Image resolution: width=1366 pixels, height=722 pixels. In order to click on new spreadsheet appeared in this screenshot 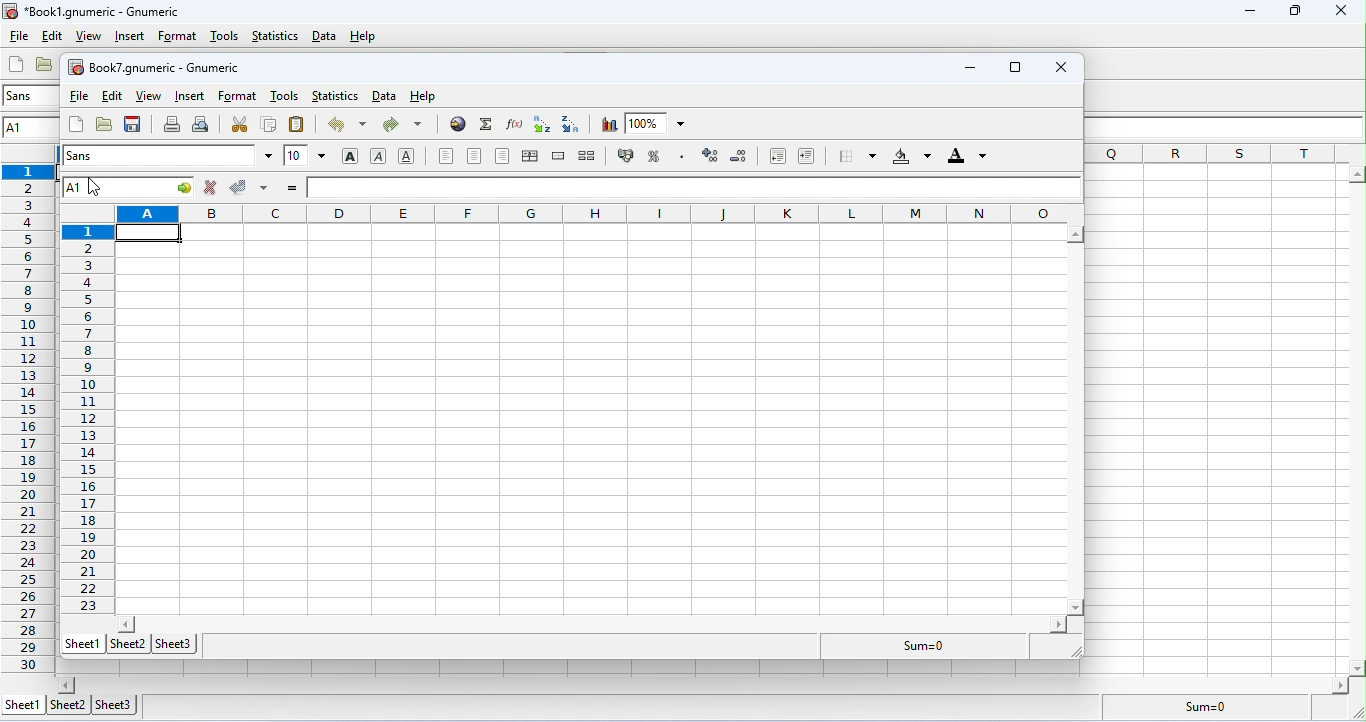, I will do `click(578, 388)`.